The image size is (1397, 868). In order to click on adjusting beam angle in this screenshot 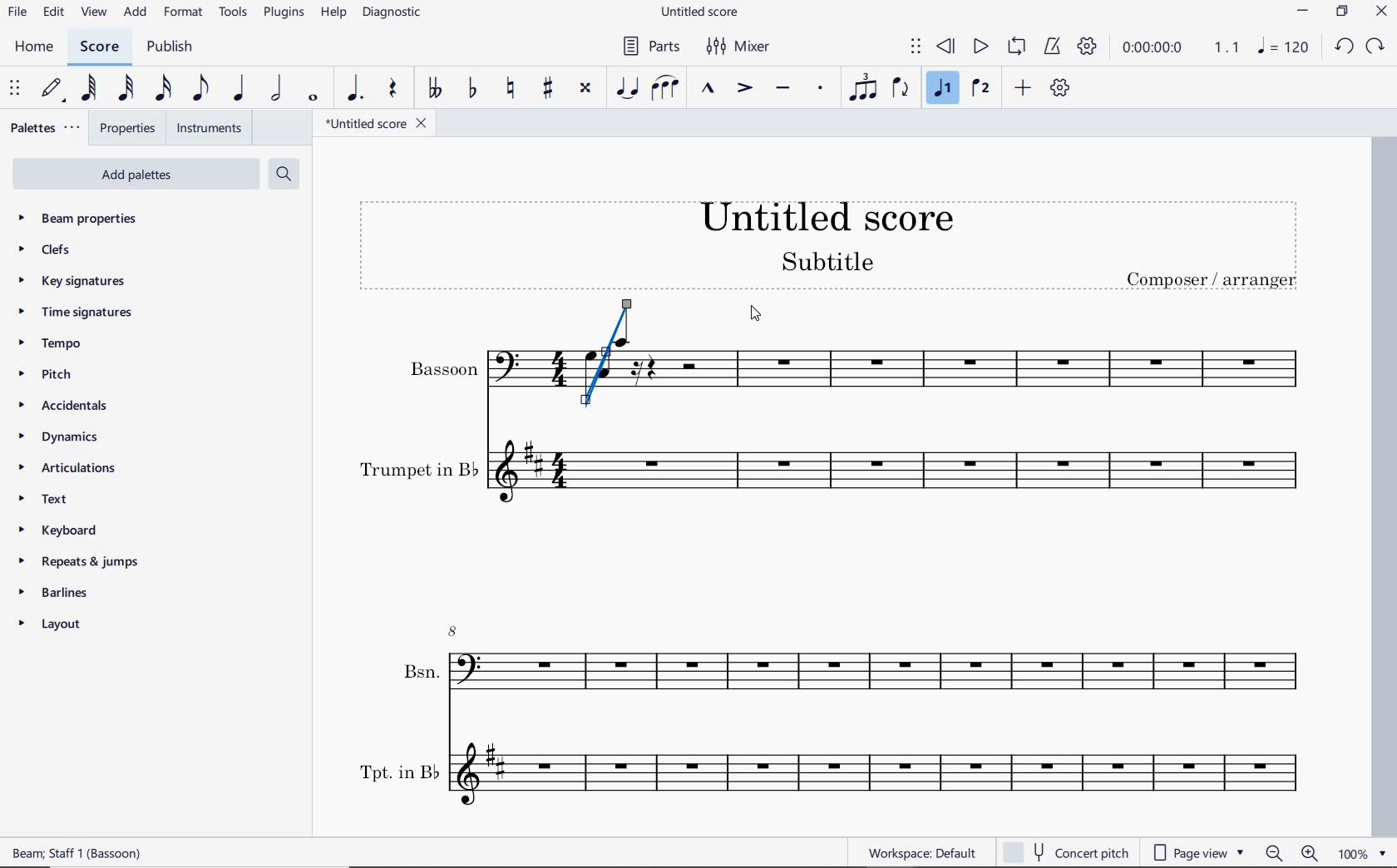, I will do `click(612, 358)`.